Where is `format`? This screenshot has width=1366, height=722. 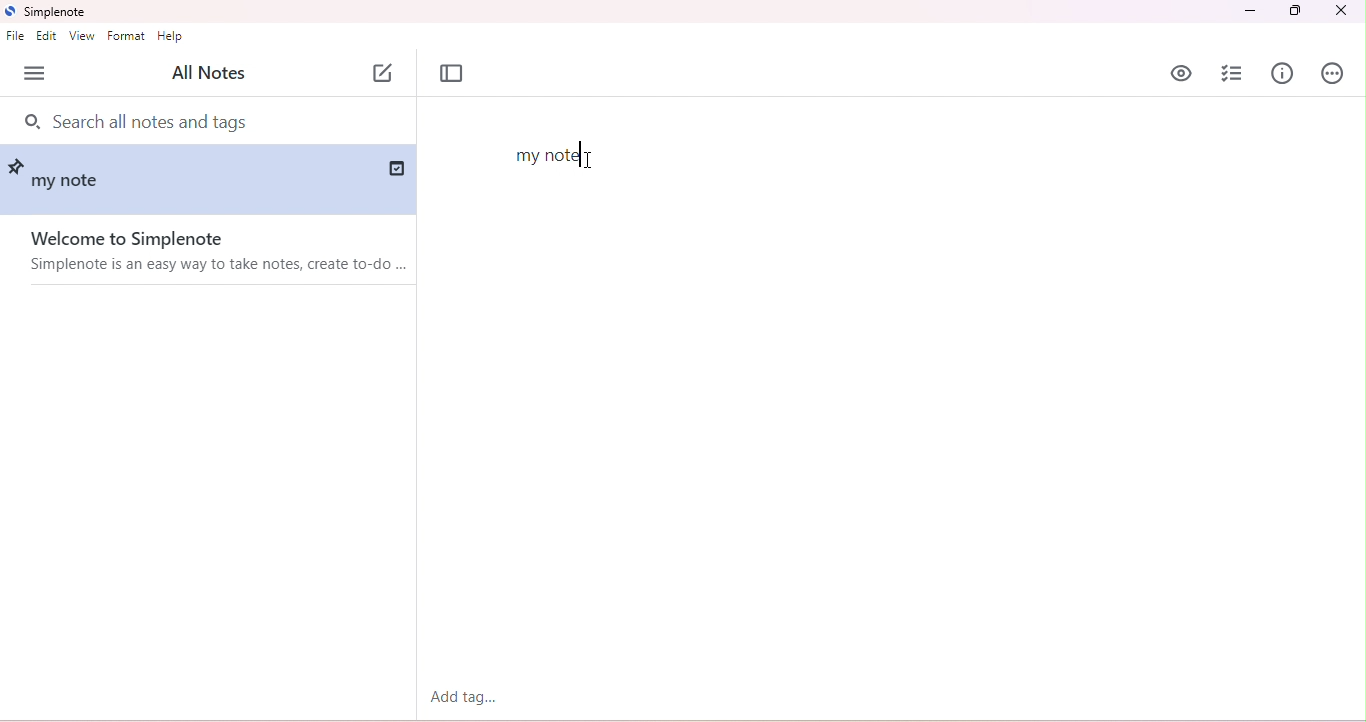
format is located at coordinates (126, 35).